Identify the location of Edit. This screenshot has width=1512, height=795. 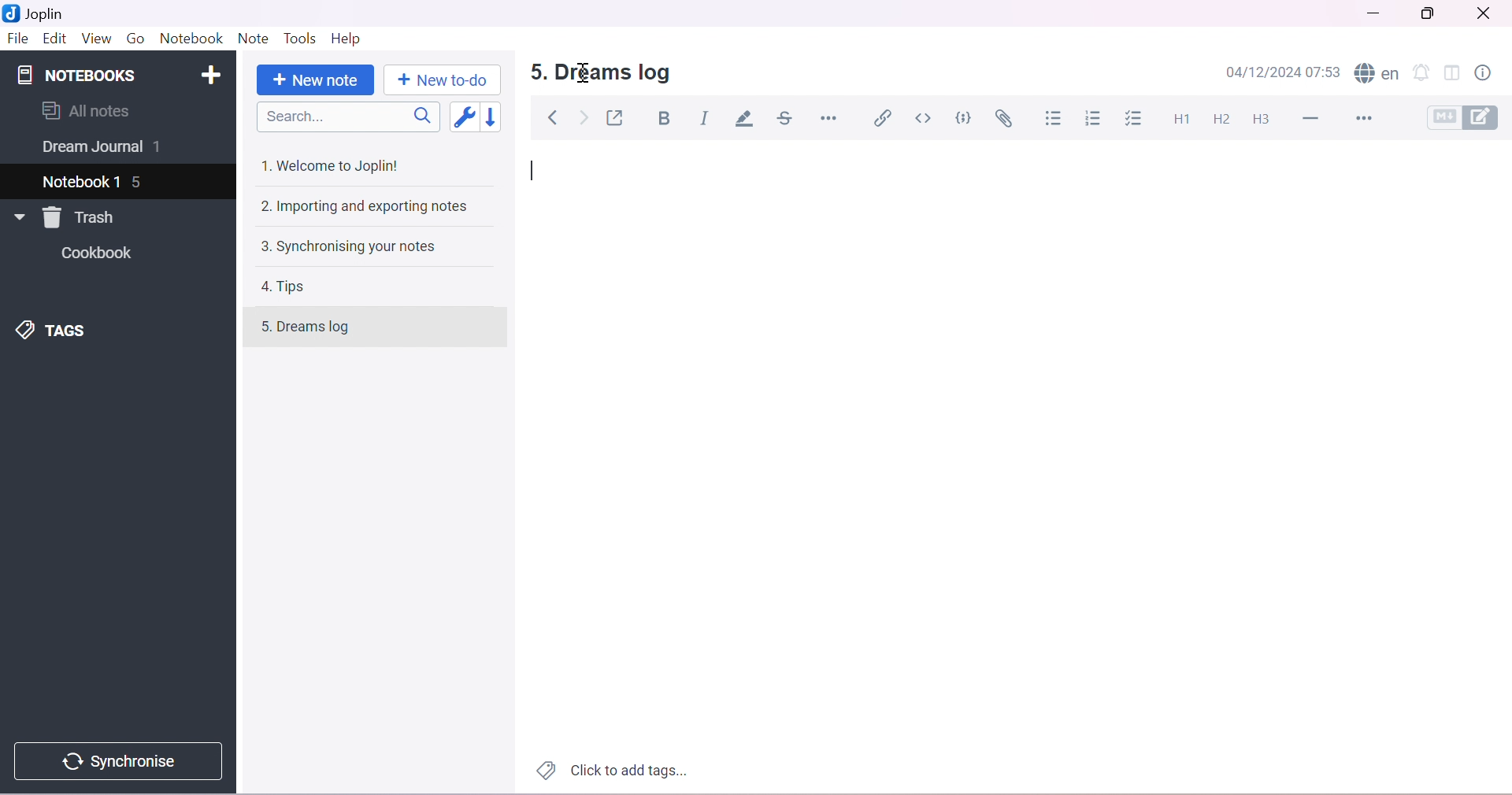
(54, 39).